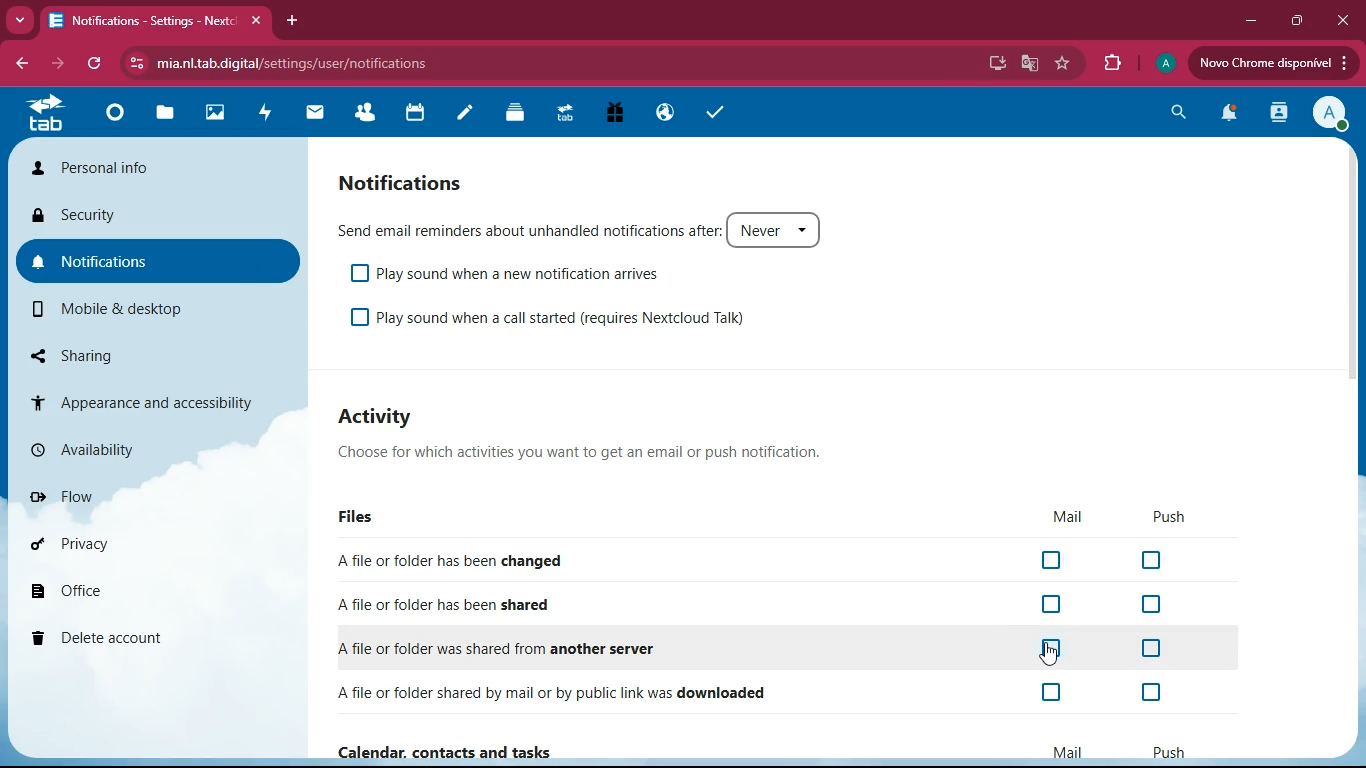  I want to click on forward, so click(51, 65).